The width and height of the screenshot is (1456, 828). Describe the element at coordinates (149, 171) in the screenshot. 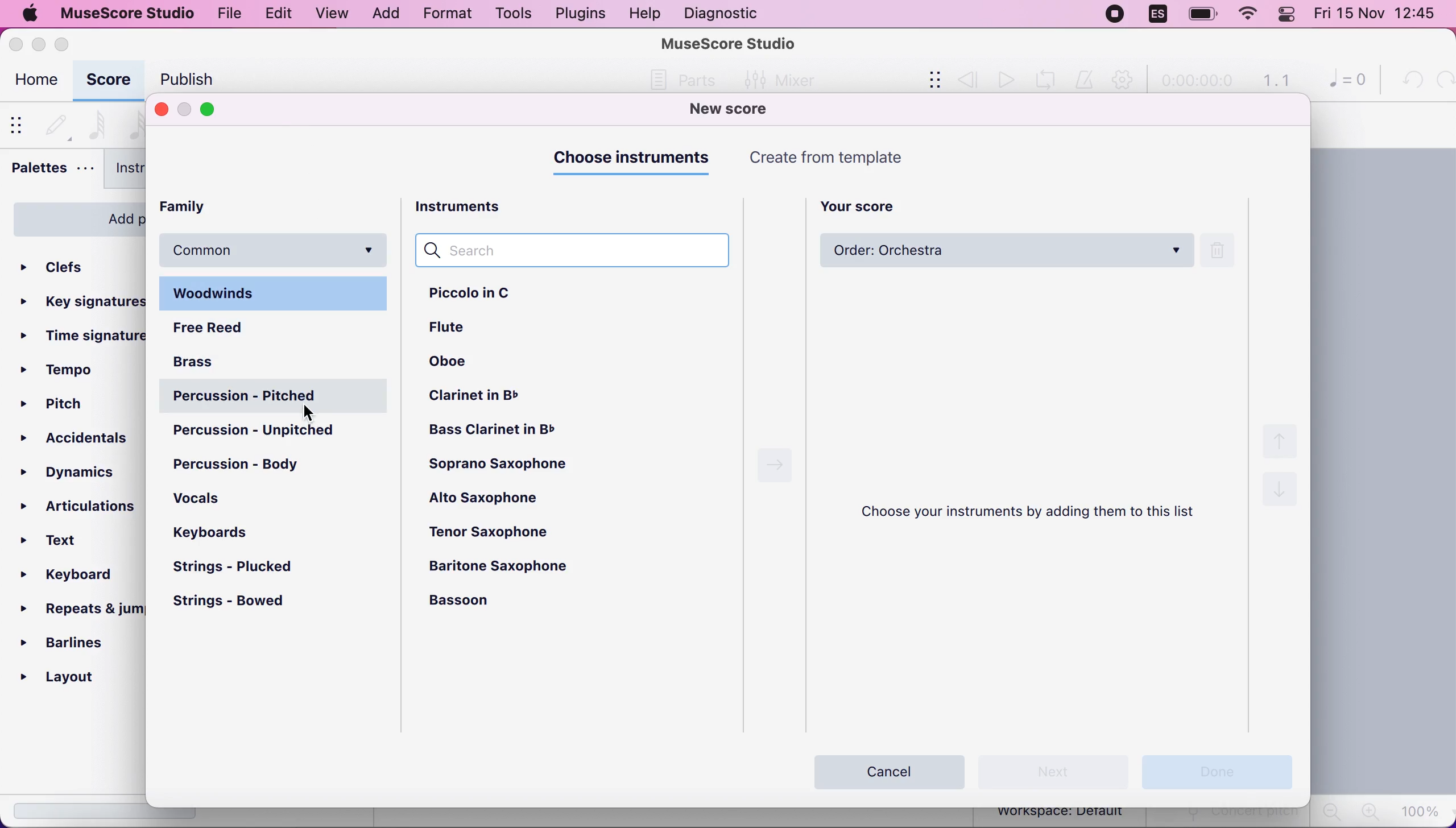

I see `instruments` at that location.